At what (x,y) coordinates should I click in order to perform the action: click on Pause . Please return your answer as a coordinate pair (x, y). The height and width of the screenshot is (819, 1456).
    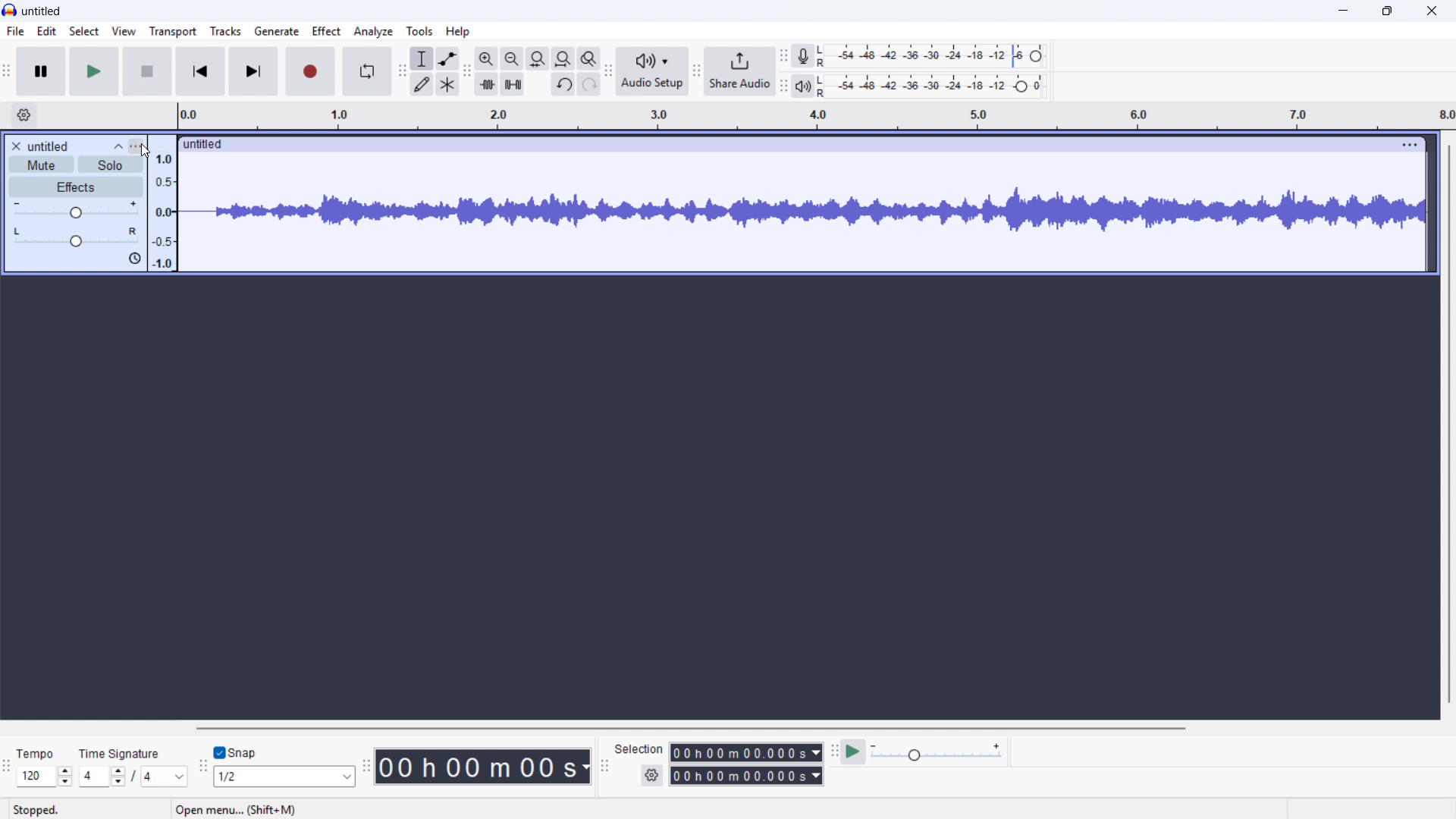
    Looking at the image, I should click on (42, 72).